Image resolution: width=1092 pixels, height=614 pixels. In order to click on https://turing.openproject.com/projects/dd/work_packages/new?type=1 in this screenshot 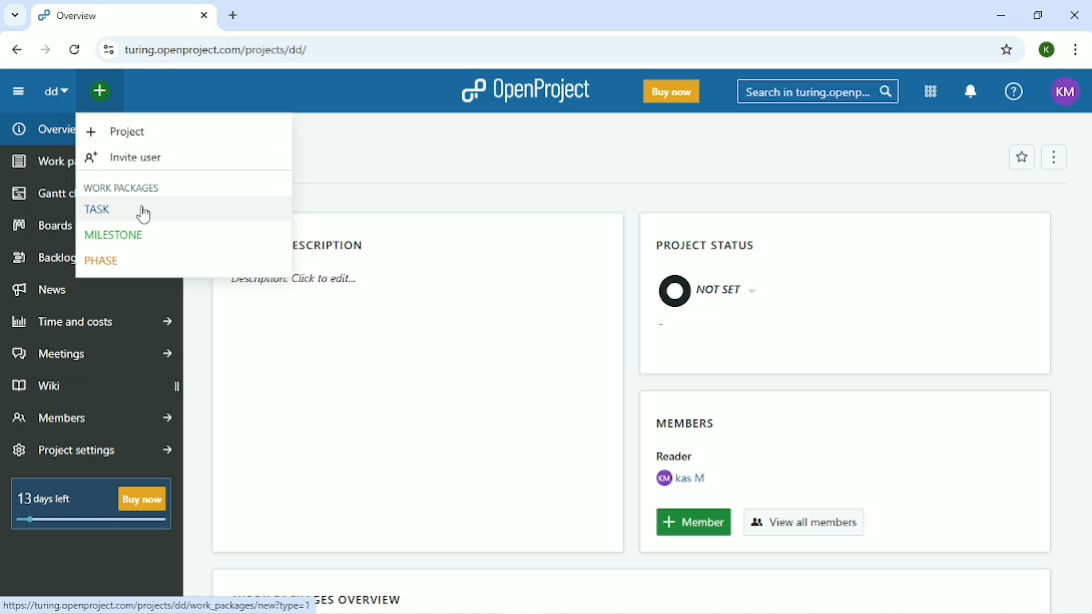, I will do `click(160, 604)`.